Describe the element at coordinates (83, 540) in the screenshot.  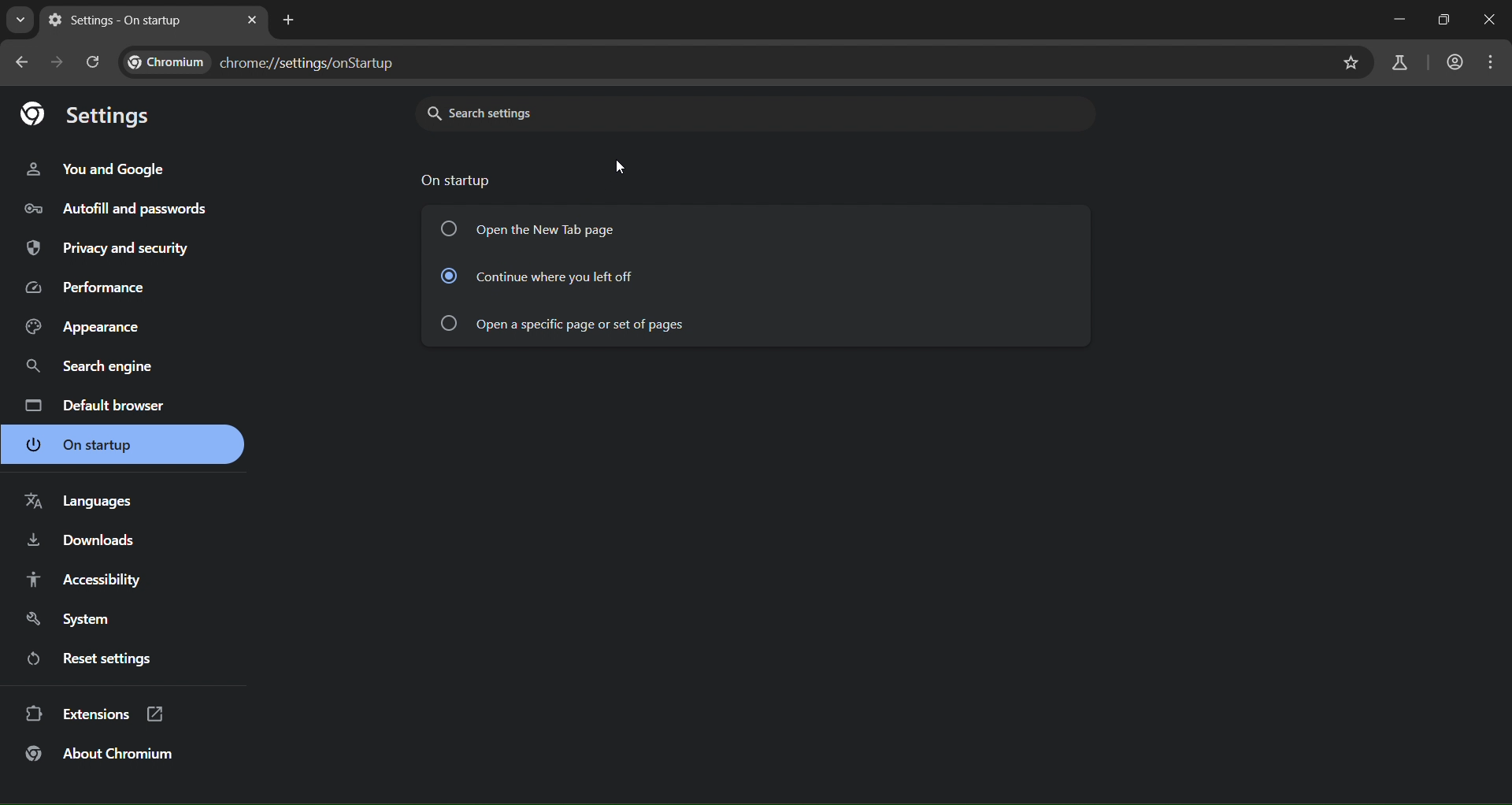
I see `downloads` at that location.